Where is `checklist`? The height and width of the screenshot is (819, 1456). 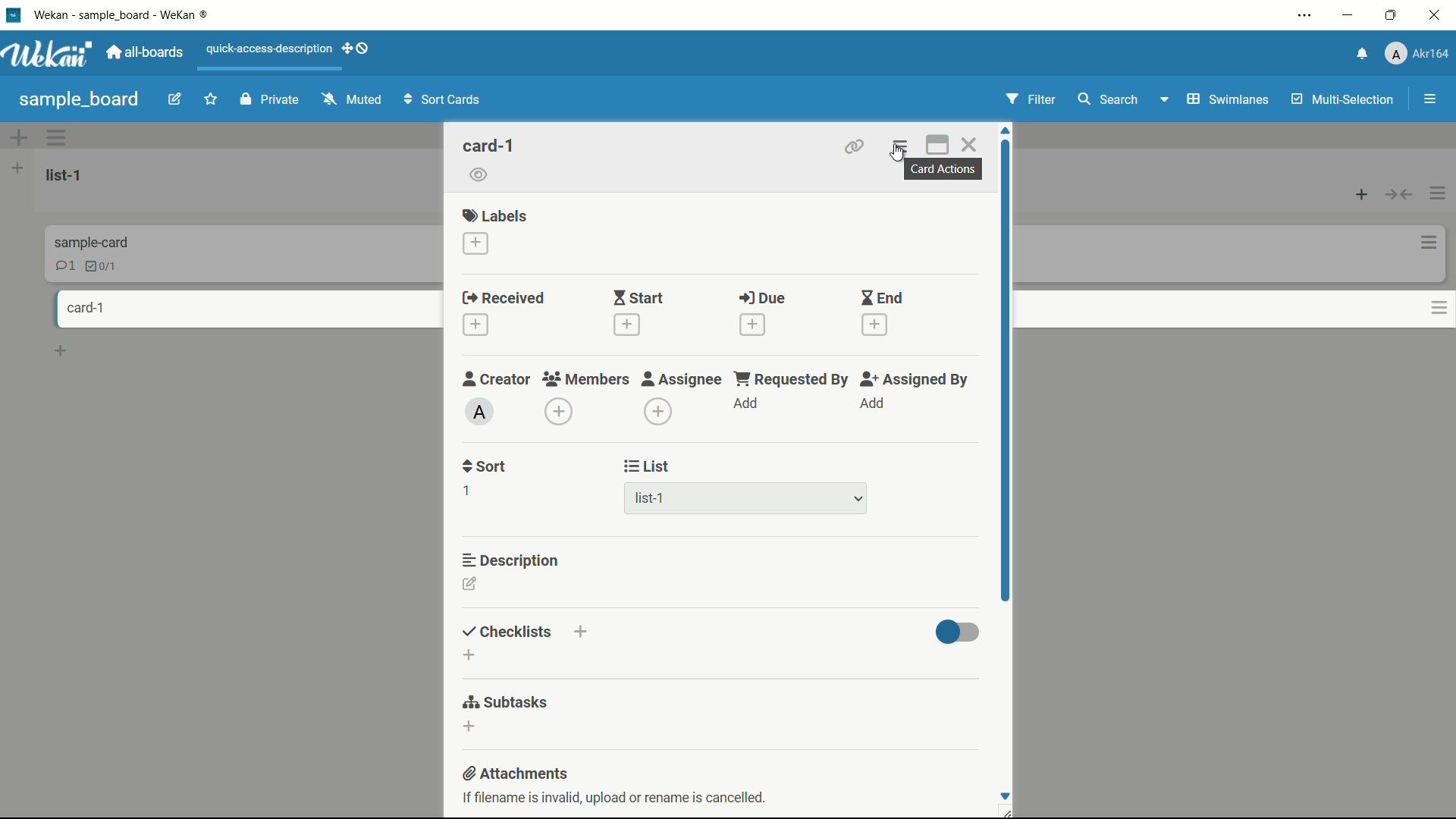 checklist is located at coordinates (99, 266).